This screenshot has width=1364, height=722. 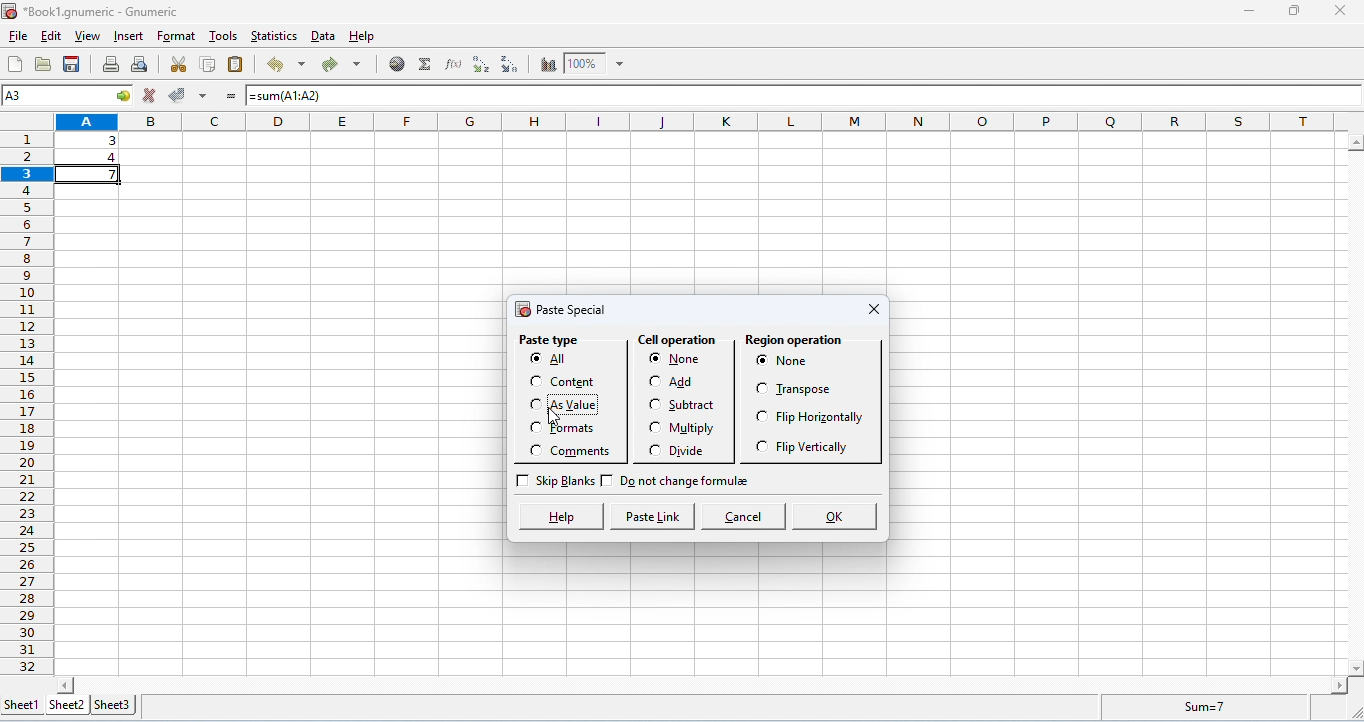 What do you see at coordinates (656, 403) in the screenshot?
I see `Checkbox` at bounding box center [656, 403].